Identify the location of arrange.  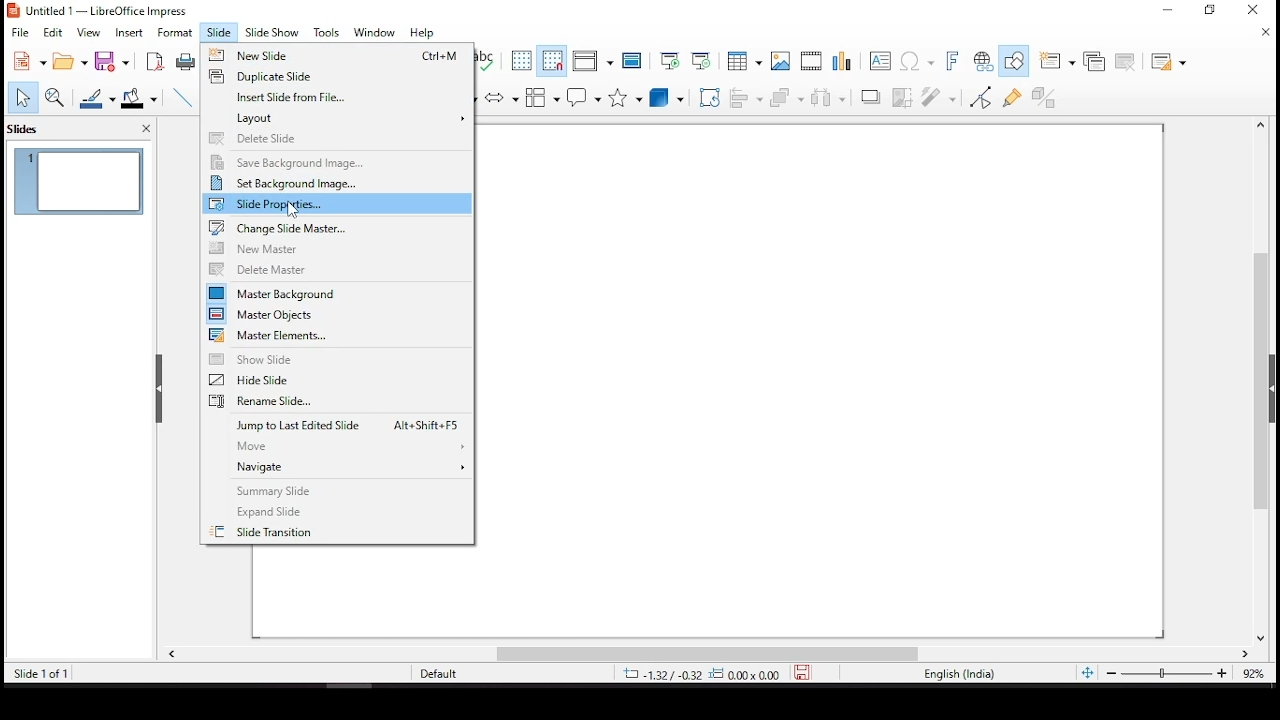
(787, 97).